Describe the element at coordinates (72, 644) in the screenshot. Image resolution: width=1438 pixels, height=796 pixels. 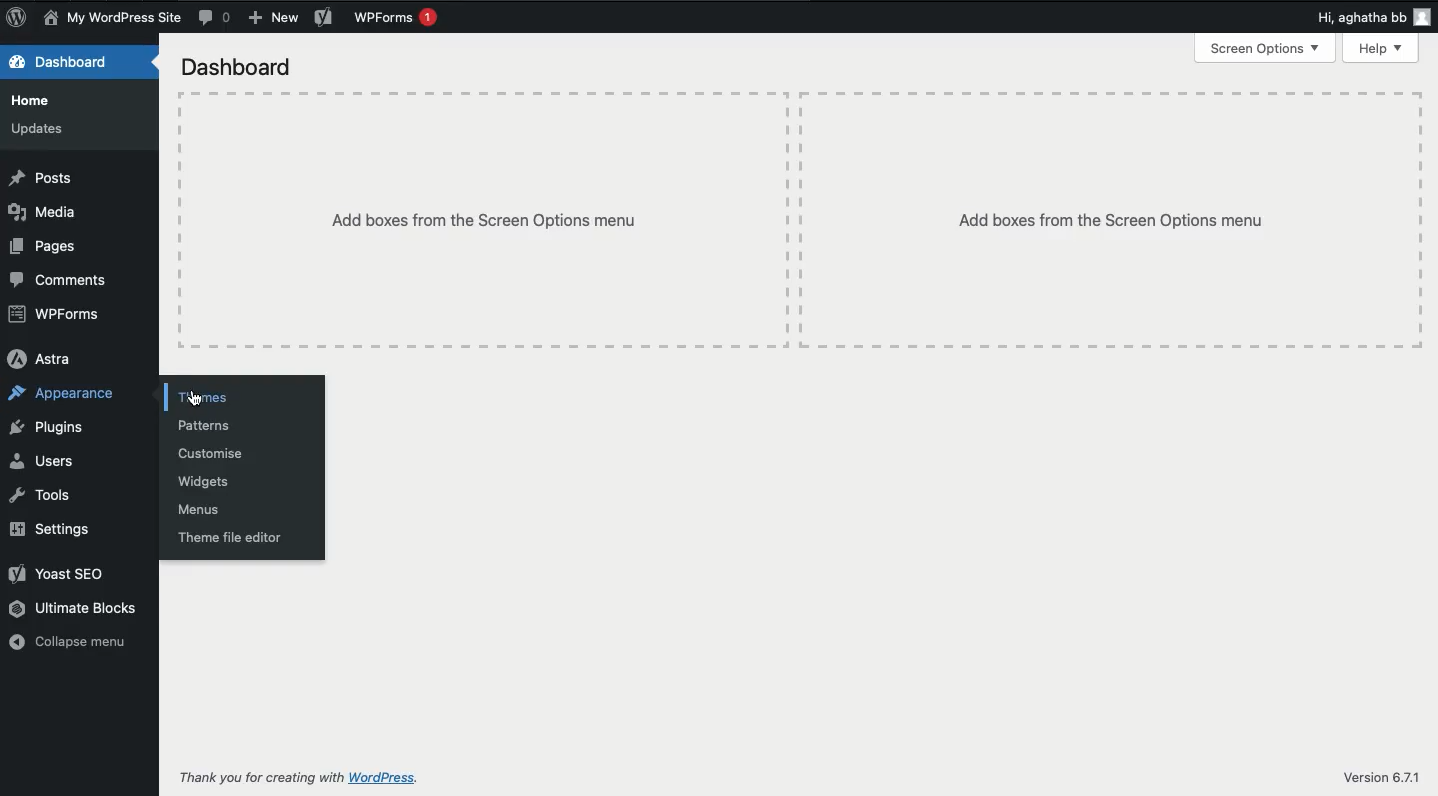
I see `Collapse menu` at that location.